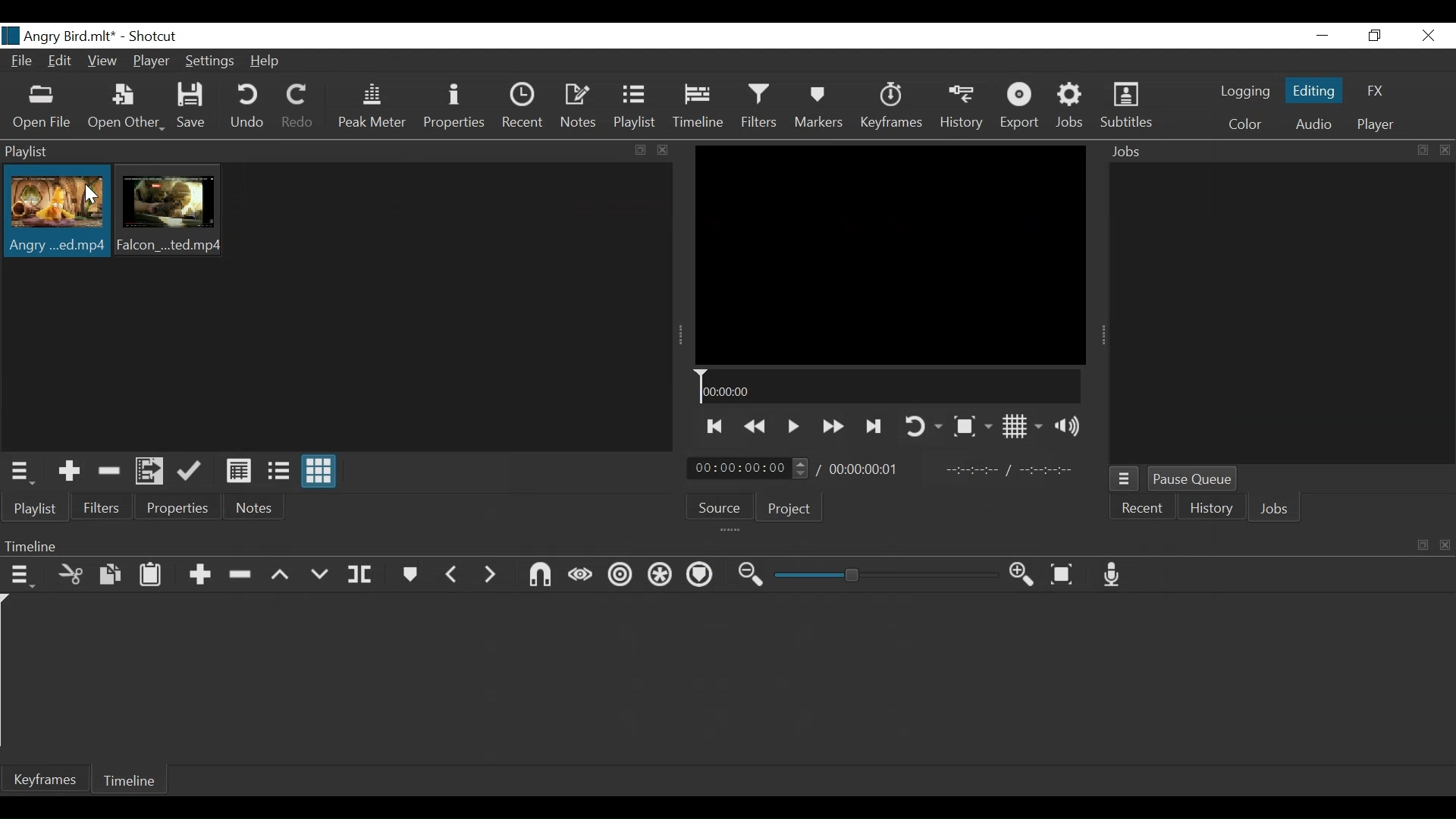 This screenshot has width=1456, height=819. Describe the element at coordinates (243, 576) in the screenshot. I see `Ripple Delete` at that location.